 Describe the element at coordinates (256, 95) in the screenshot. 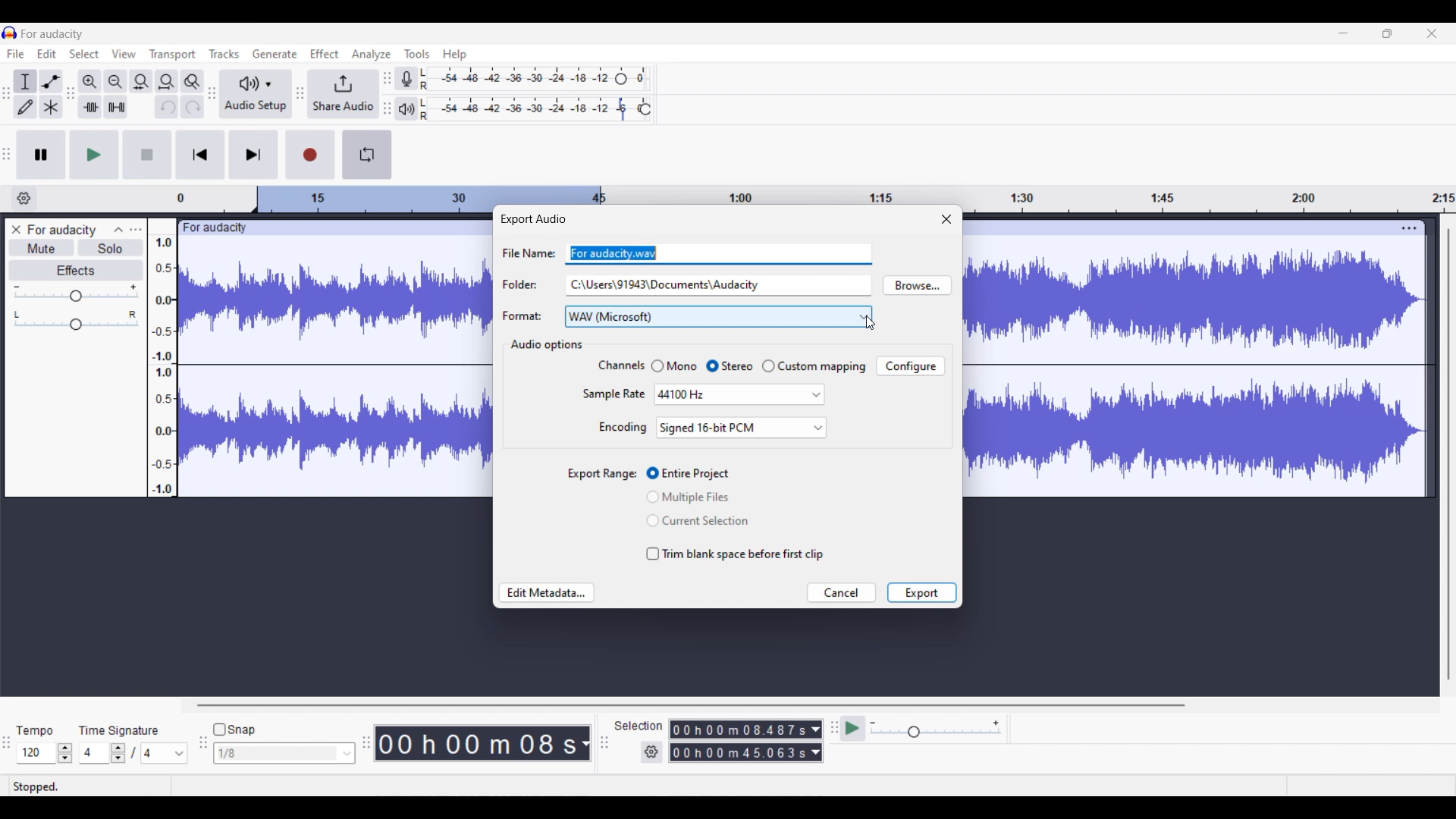

I see `Audio setup` at that location.